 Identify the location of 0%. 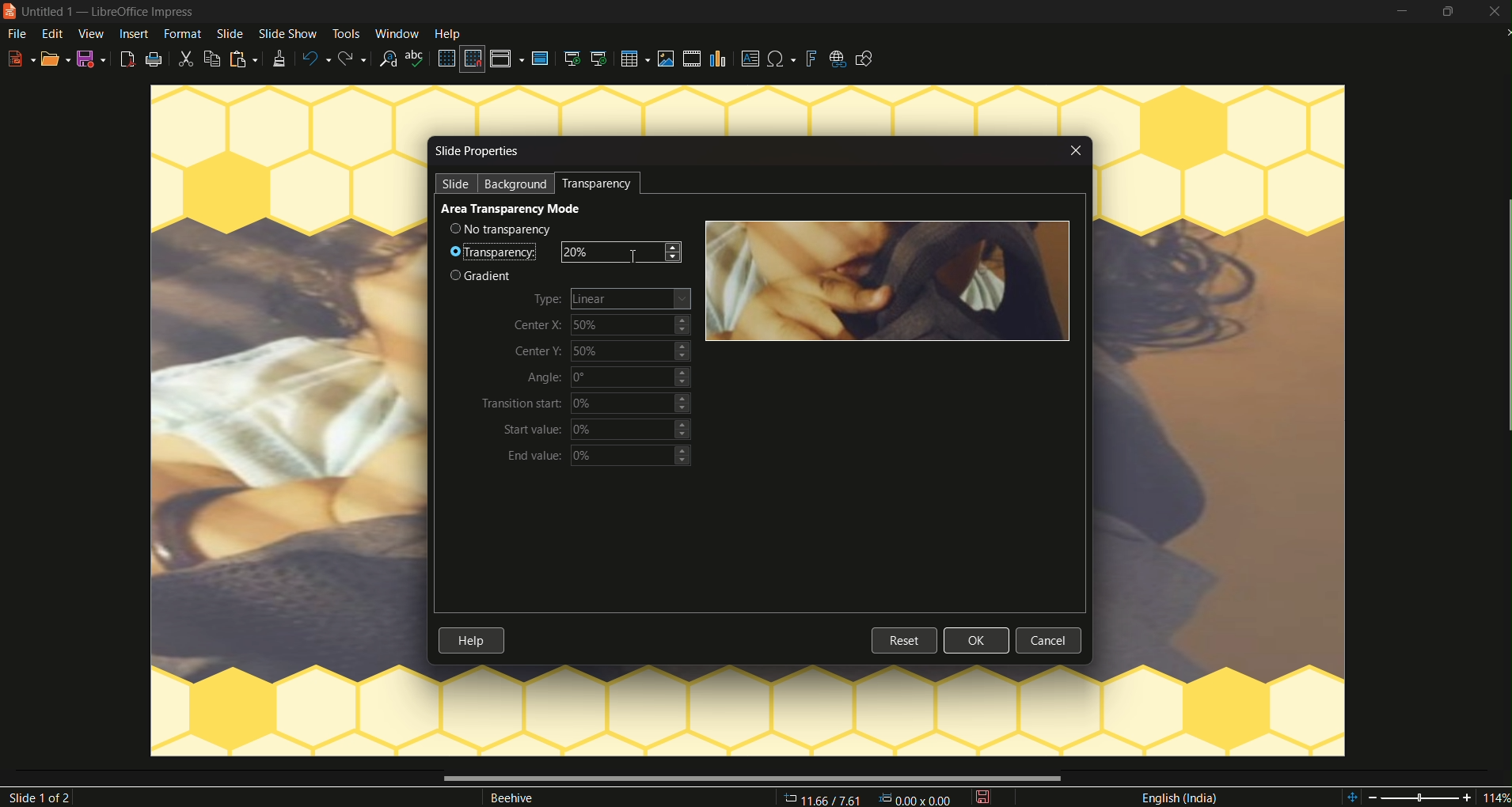
(629, 429).